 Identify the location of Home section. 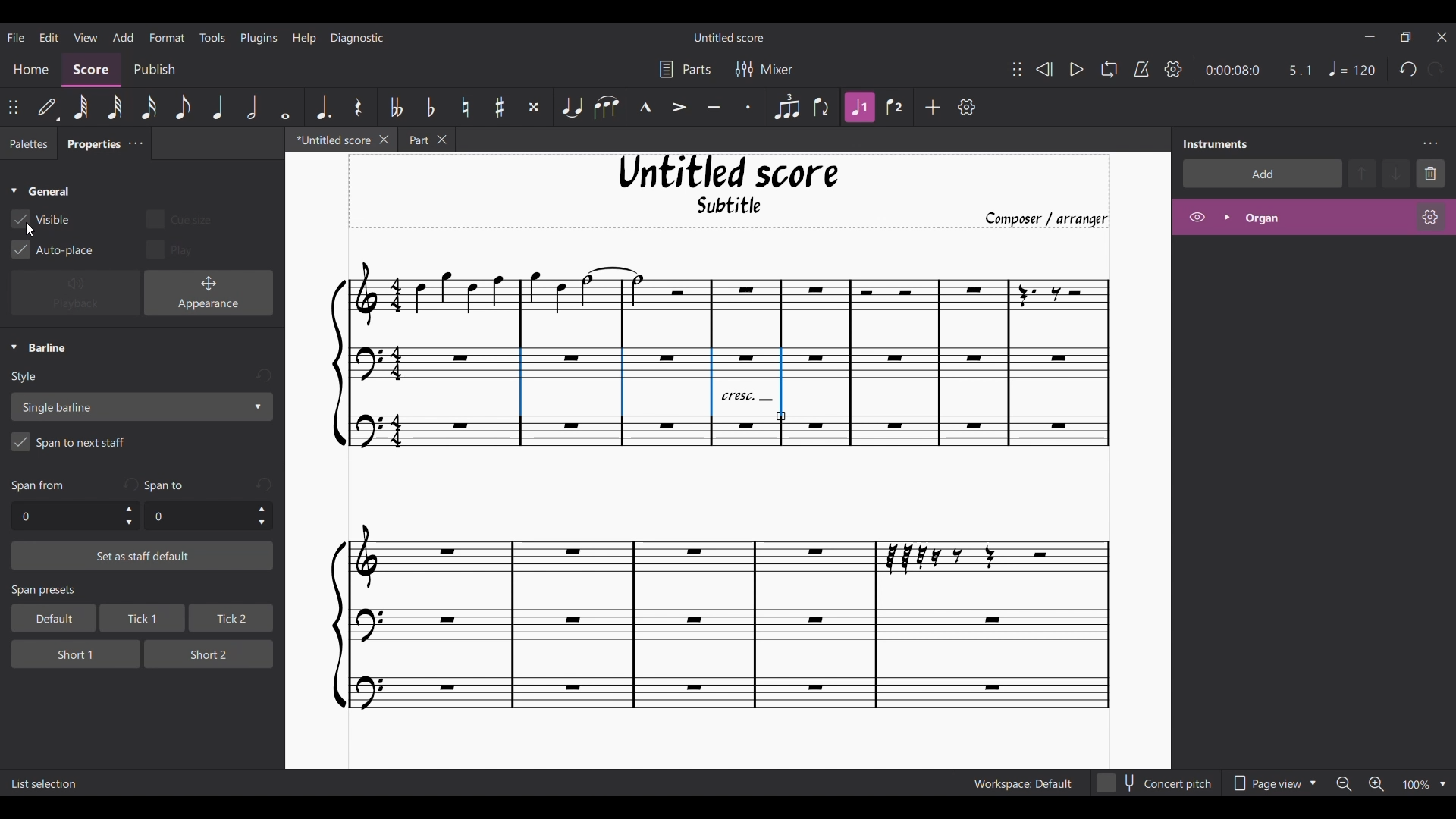
(32, 69).